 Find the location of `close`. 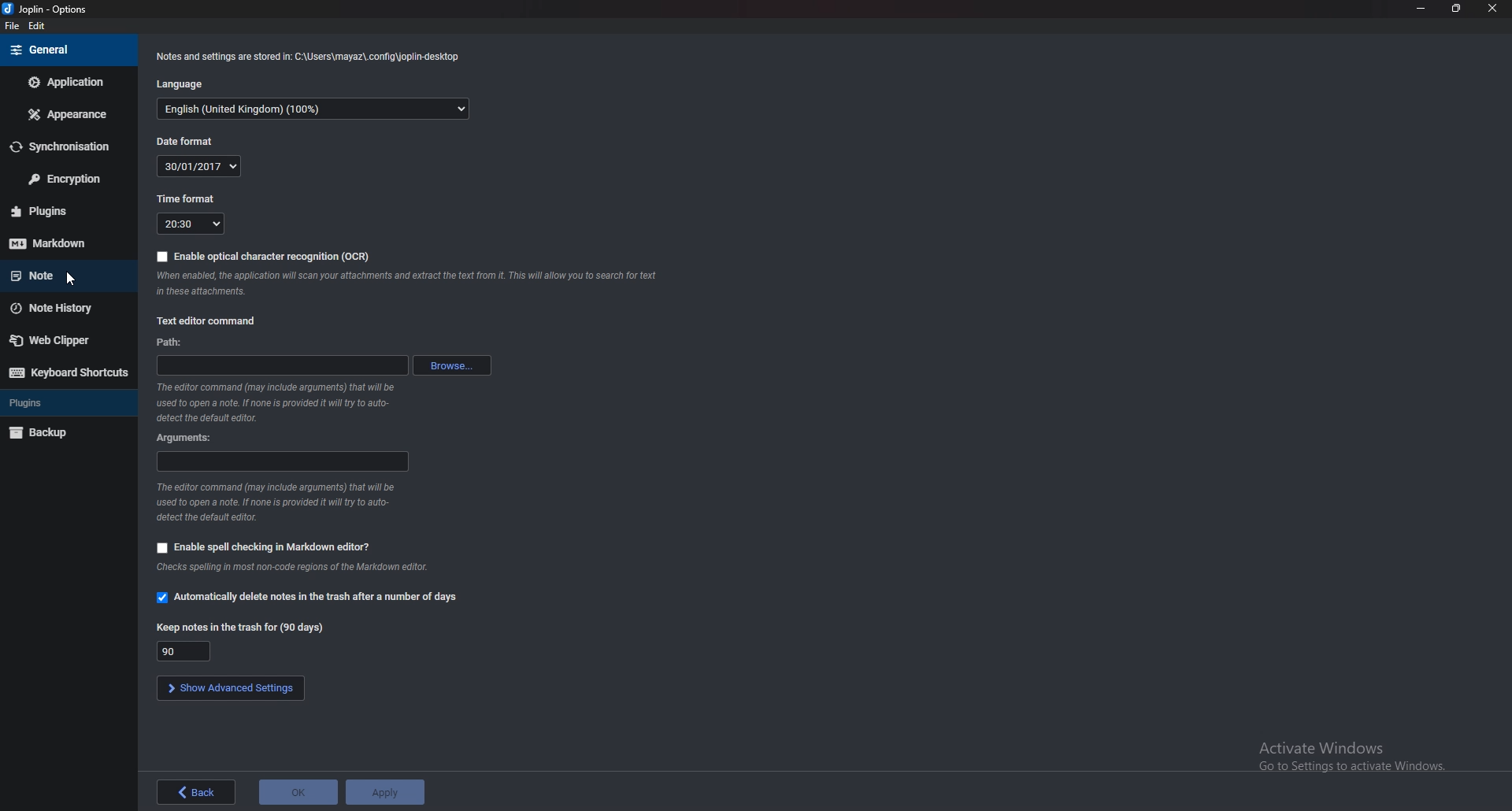

close is located at coordinates (1493, 9).